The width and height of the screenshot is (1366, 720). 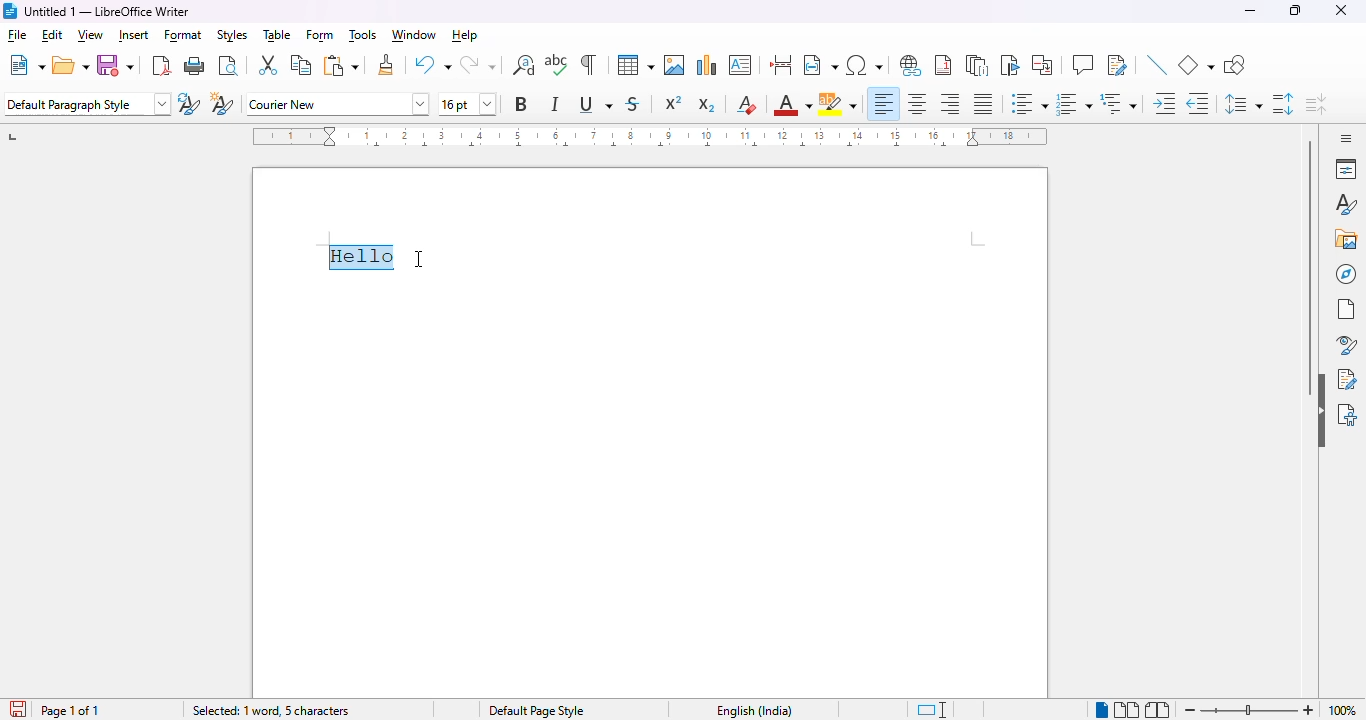 I want to click on help, so click(x=466, y=36).